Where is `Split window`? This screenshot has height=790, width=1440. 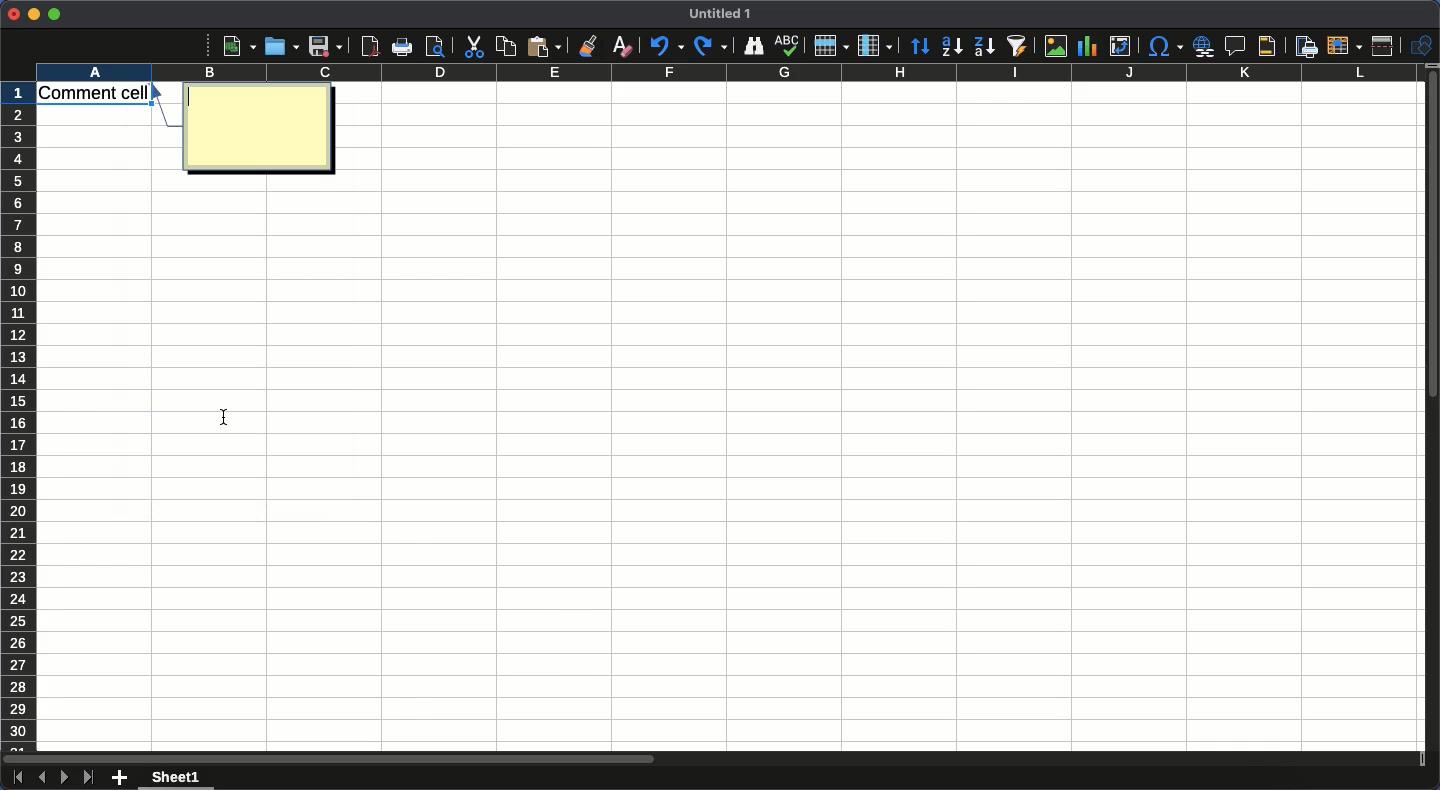
Split window is located at coordinates (1383, 45).